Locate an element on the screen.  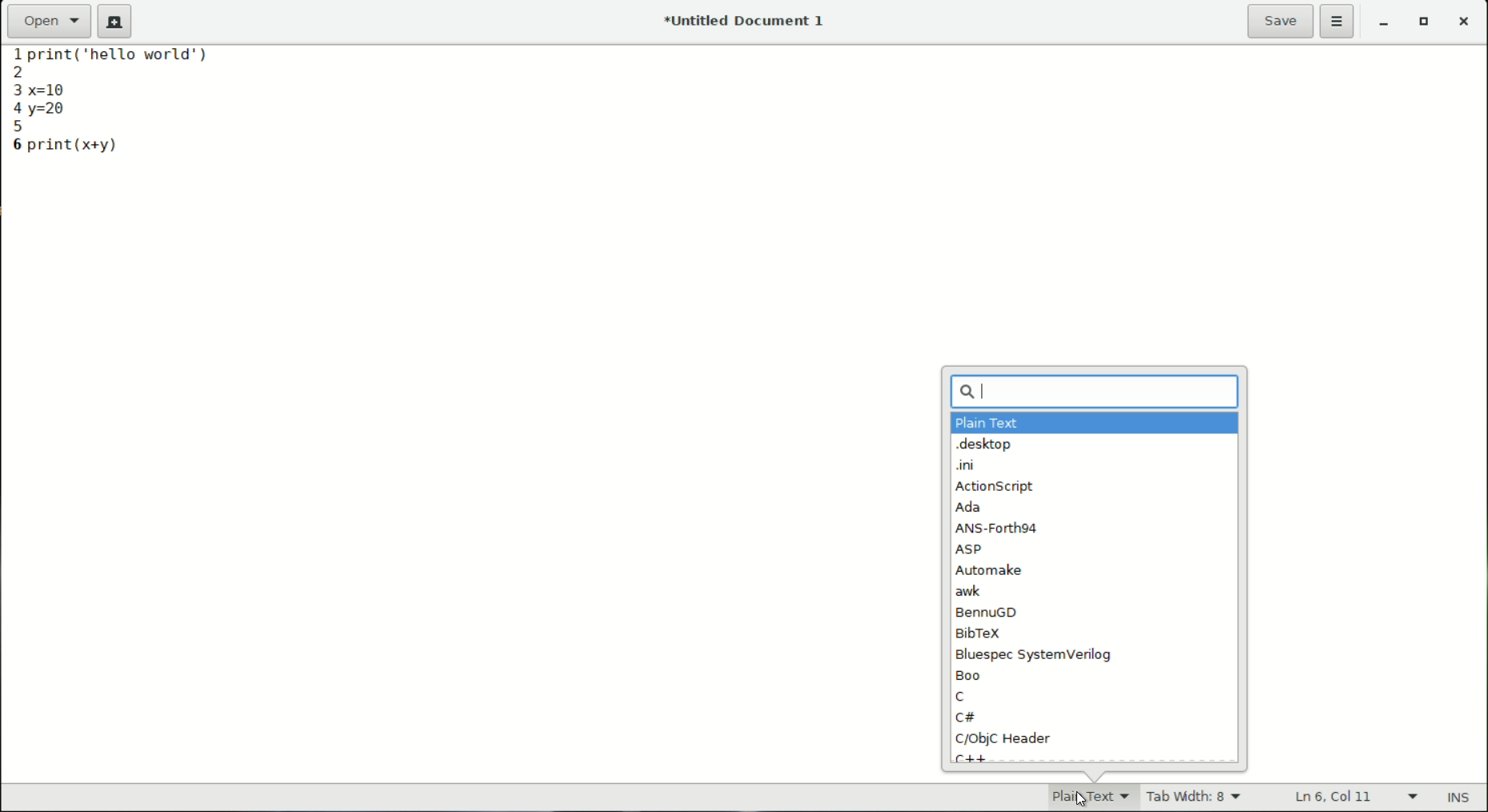
c# is located at coordinates (965, 718).